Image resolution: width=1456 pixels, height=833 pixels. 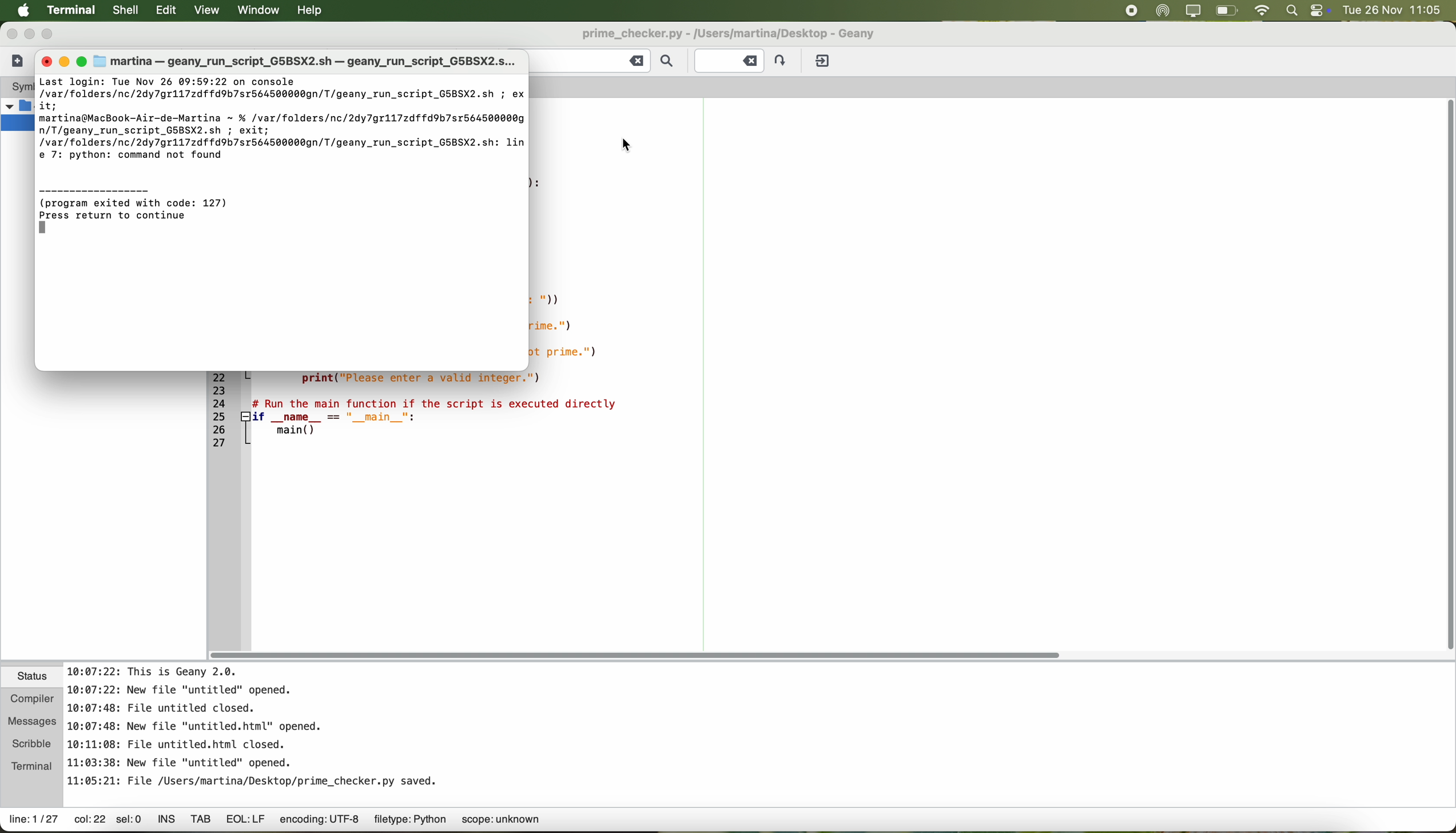 What do you see at coordinates (17, 61) in the screenshot?
I see `create a new file` at bounding box center [17, 61].